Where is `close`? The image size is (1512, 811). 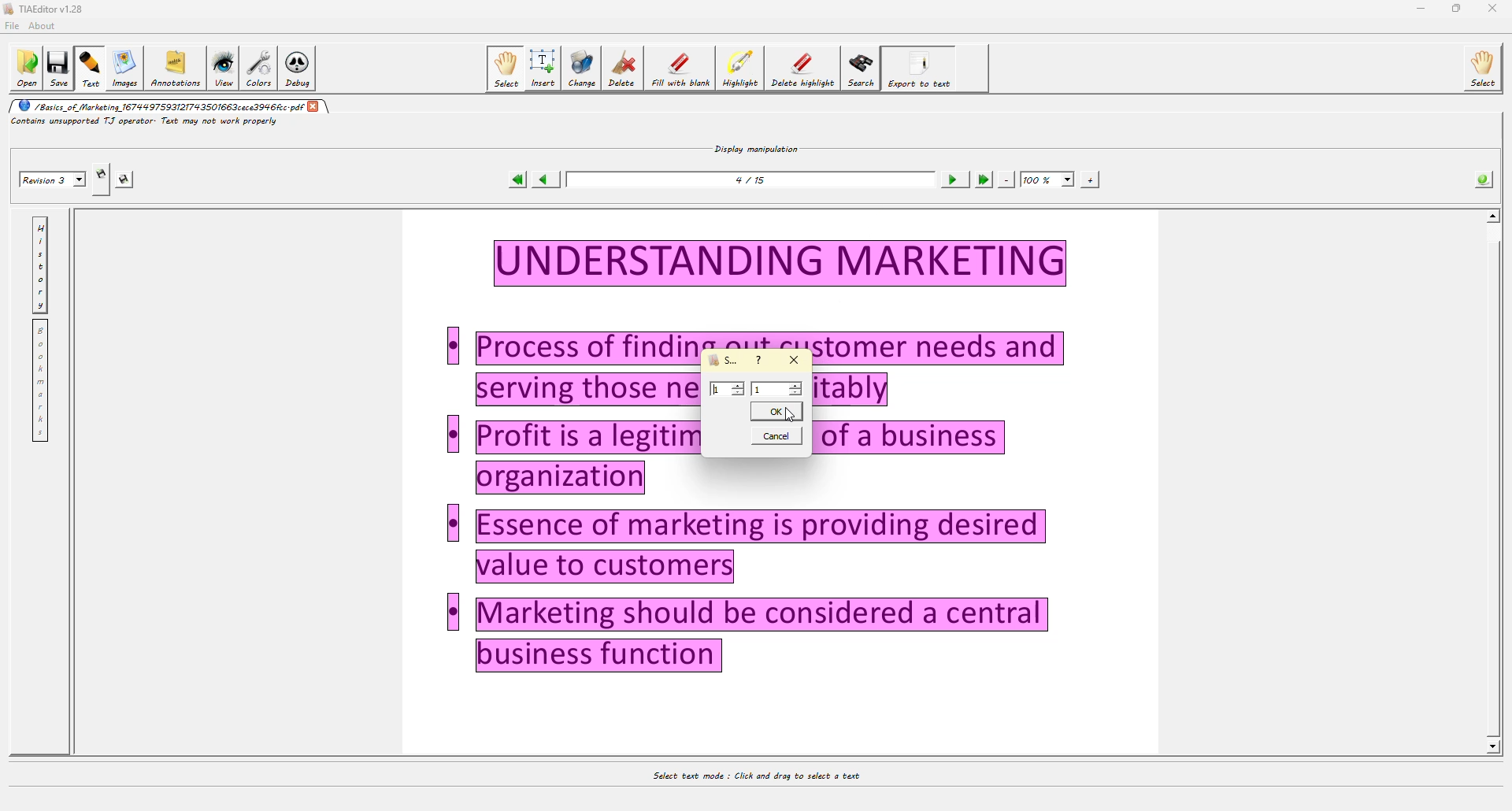 close is located at coordinates (314, 106).